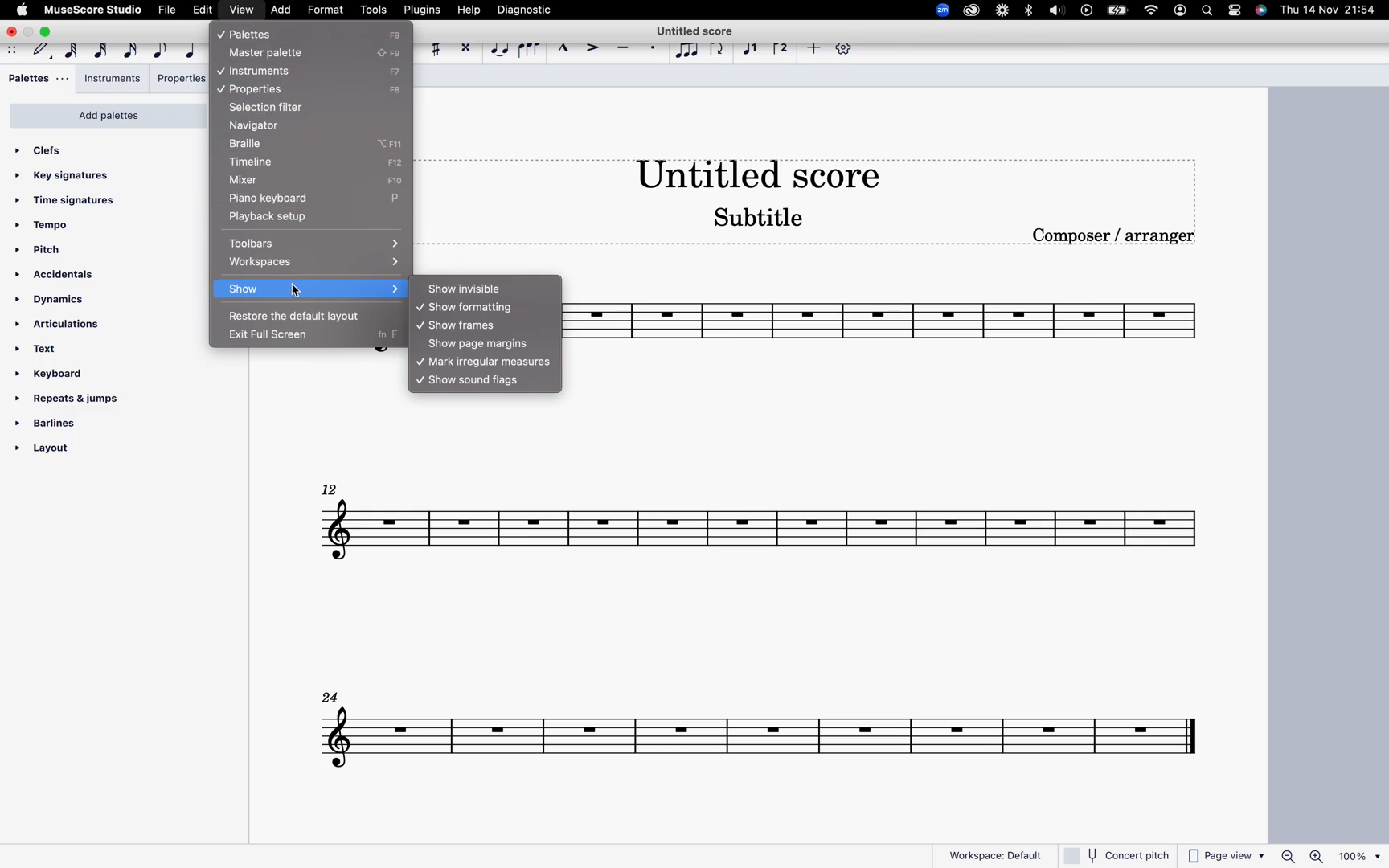 The height and width of the screenshot is (868, 1389). Describe the element at coordinates (1181, 10) in the screenshot. I see `profile` at that location.